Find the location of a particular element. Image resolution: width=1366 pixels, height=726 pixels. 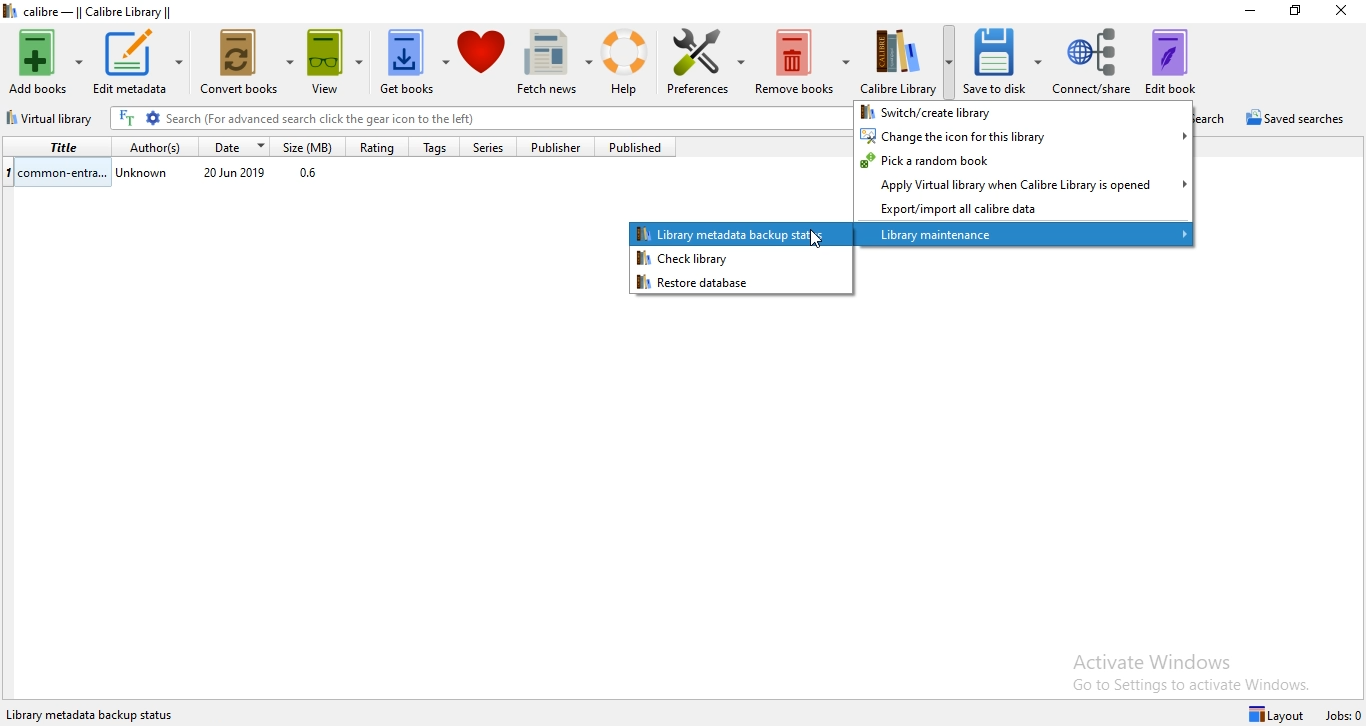

Edit metadata is located at coordinates (138, 63).